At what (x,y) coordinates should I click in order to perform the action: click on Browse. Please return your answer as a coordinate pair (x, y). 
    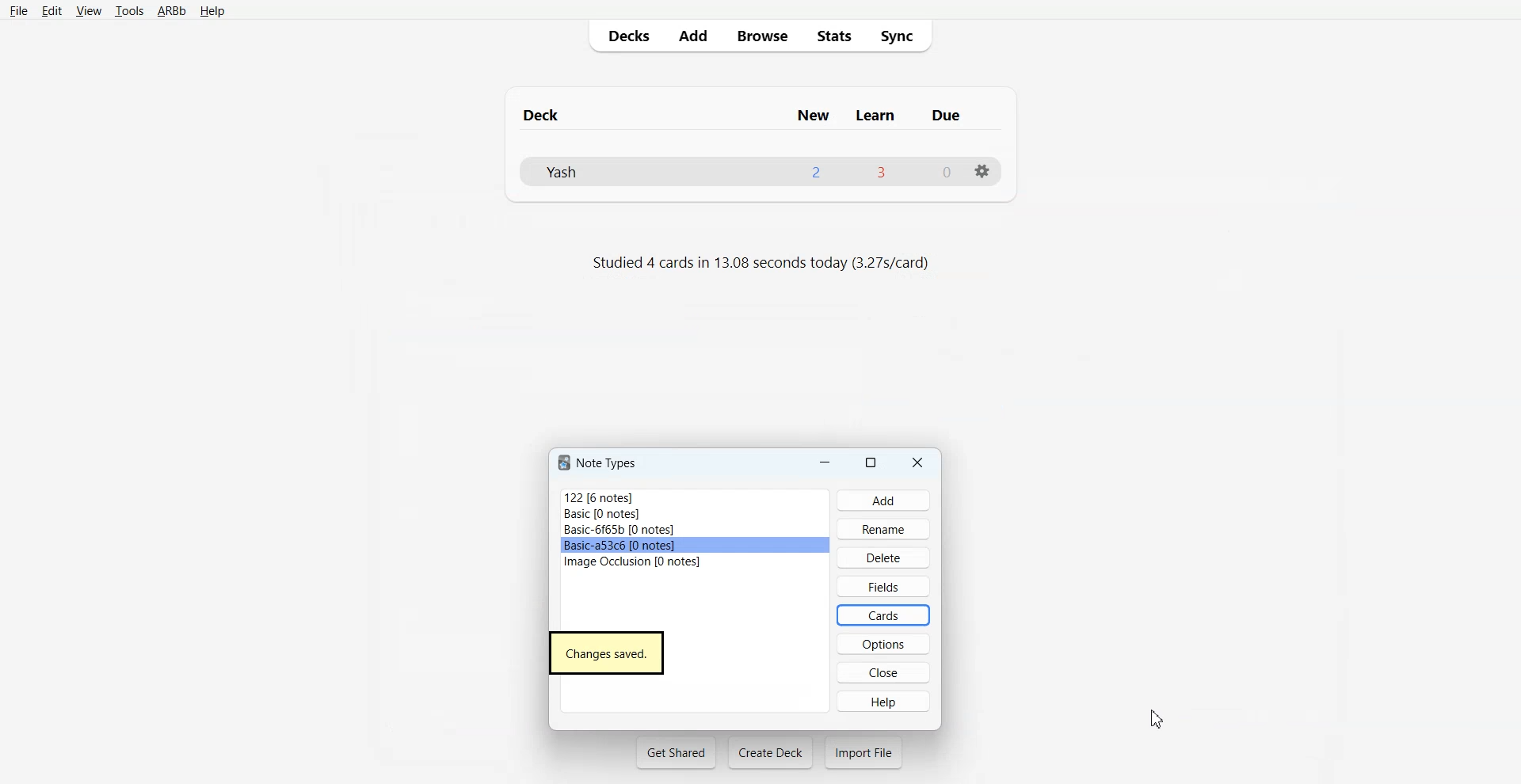
    Looking at the image, I should click on (761, 35).